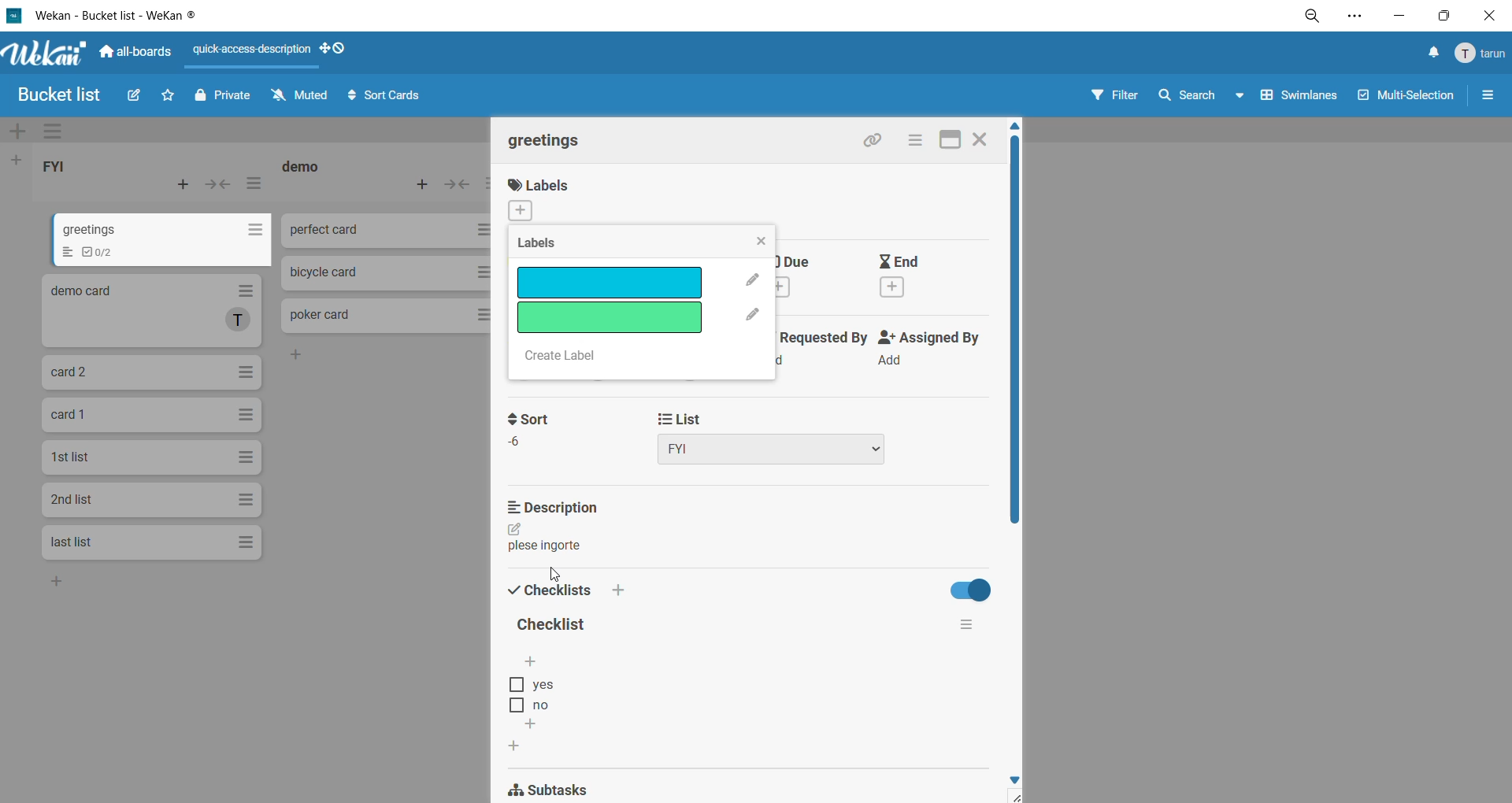  What do you see at coordinates (1311, 17) in the screenshot?
I see `zoom` at bounding box center [1311, 17].